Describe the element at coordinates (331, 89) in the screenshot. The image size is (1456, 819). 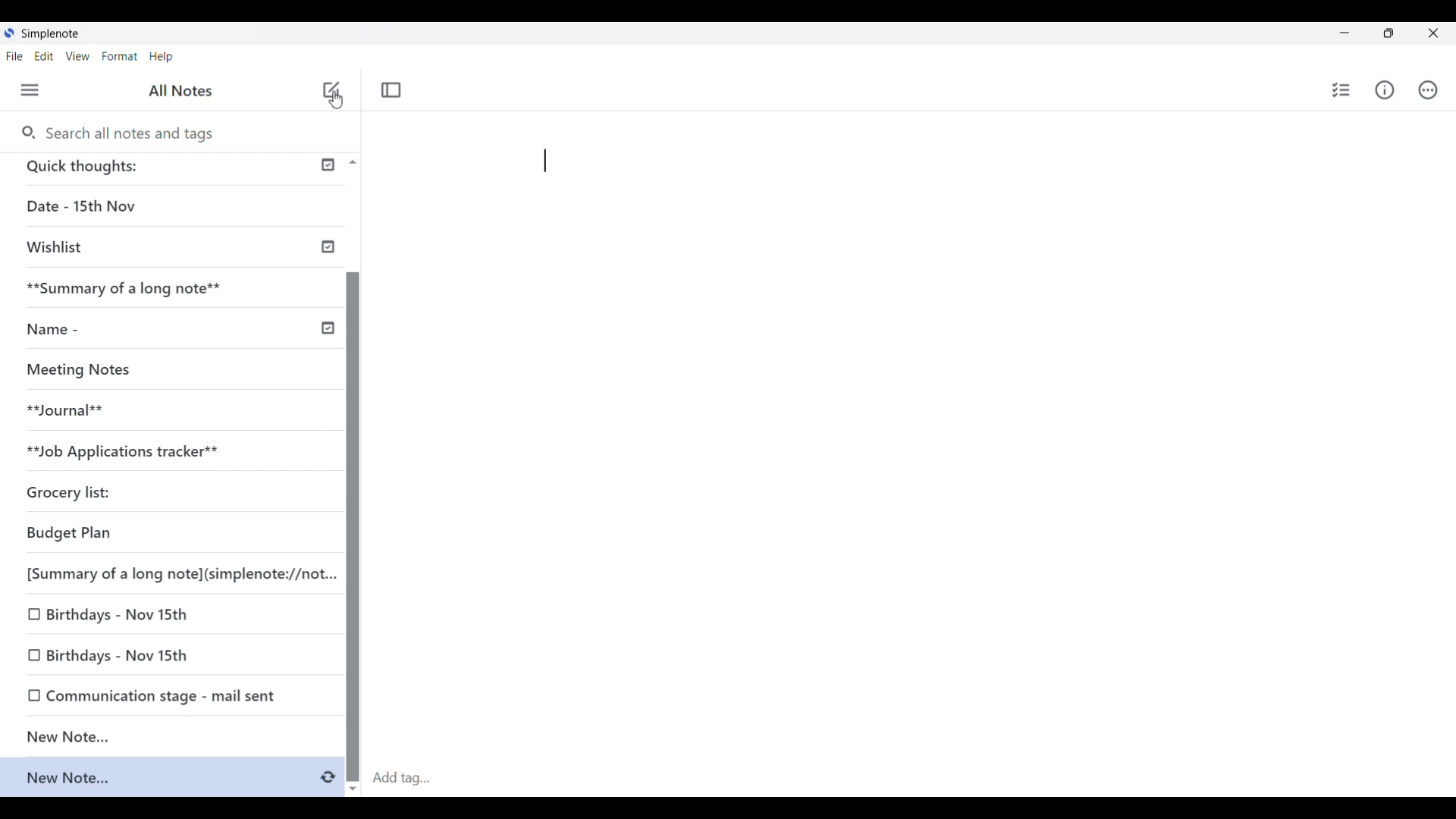
I see `Add new note` at that location.